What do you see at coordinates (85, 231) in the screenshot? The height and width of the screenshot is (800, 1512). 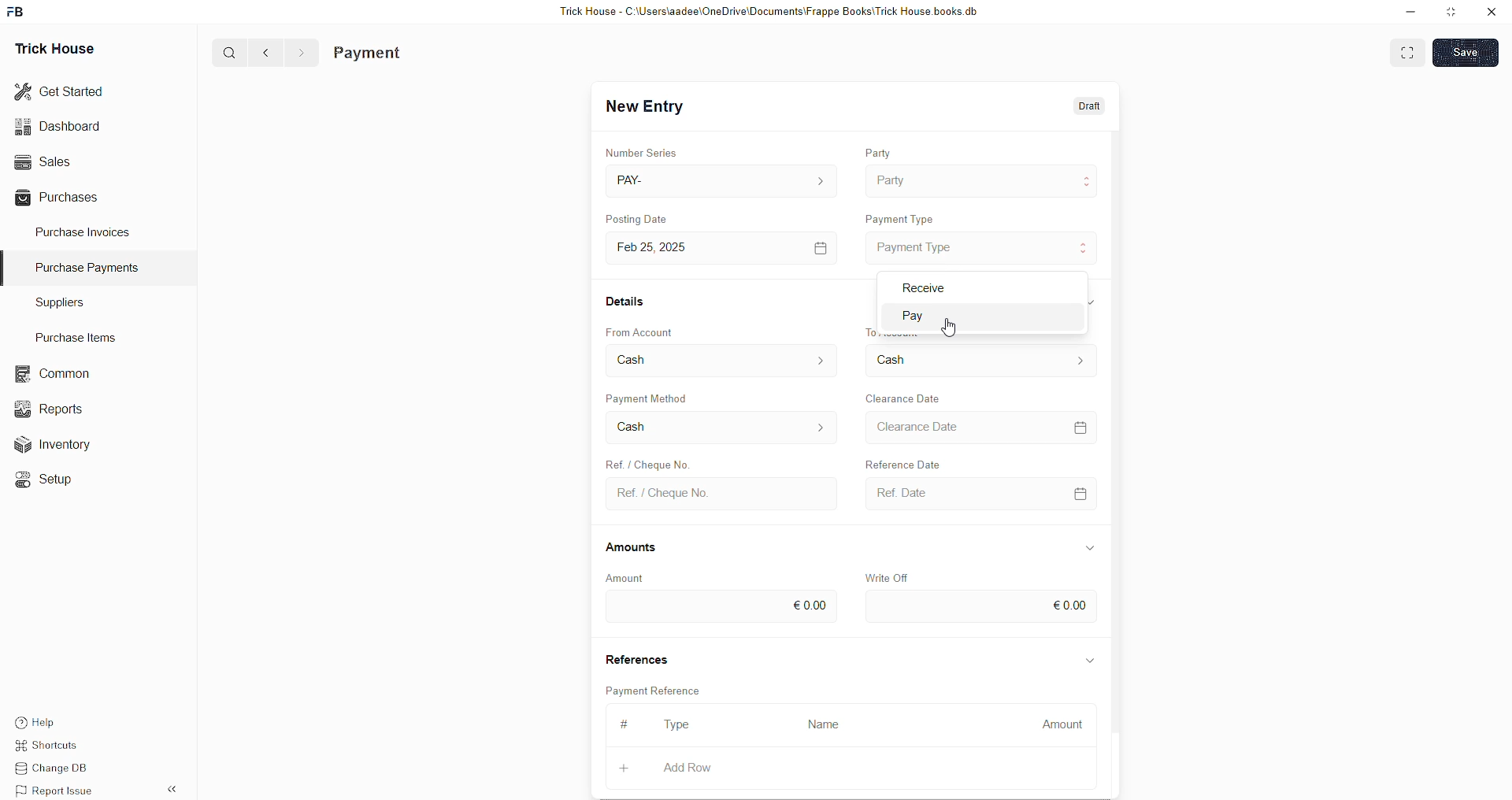 I see `Purchase Invoices` at bounding box center [85, 231].